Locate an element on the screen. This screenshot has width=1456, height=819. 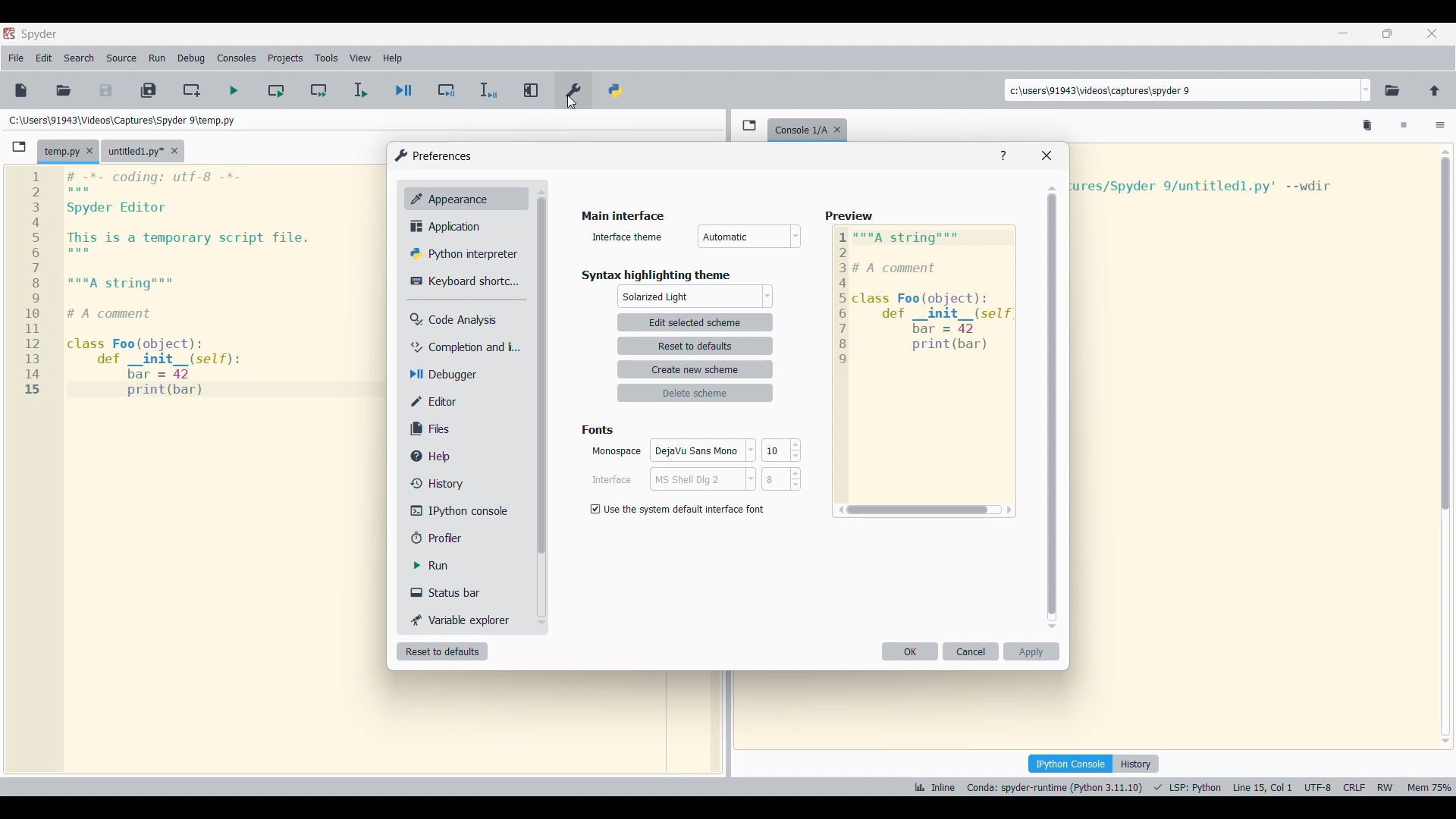
Input font size for respective font is located at coordinates (775, 465).